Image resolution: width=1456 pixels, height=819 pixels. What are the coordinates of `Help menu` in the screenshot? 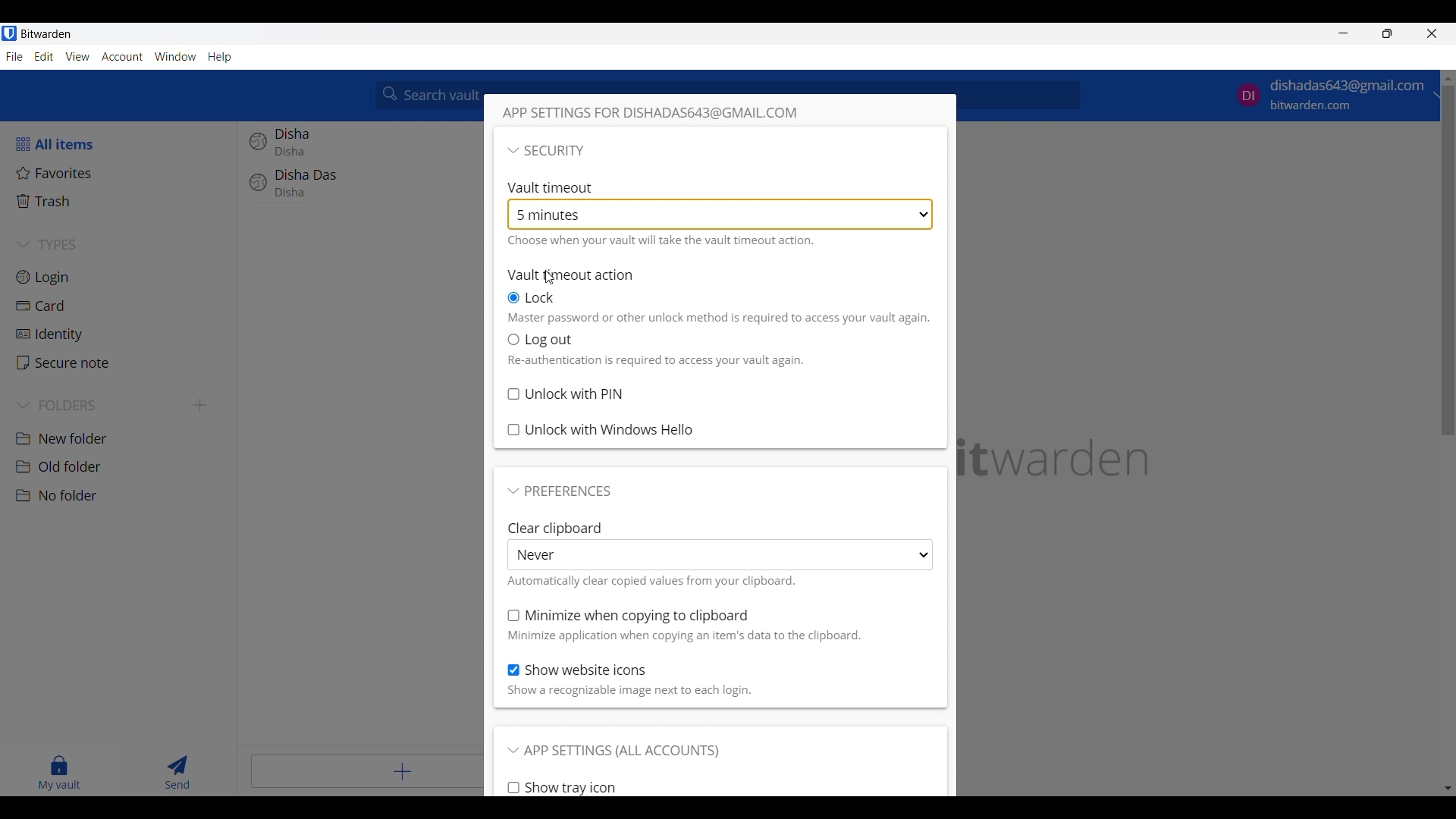 It's located at (221, 58).